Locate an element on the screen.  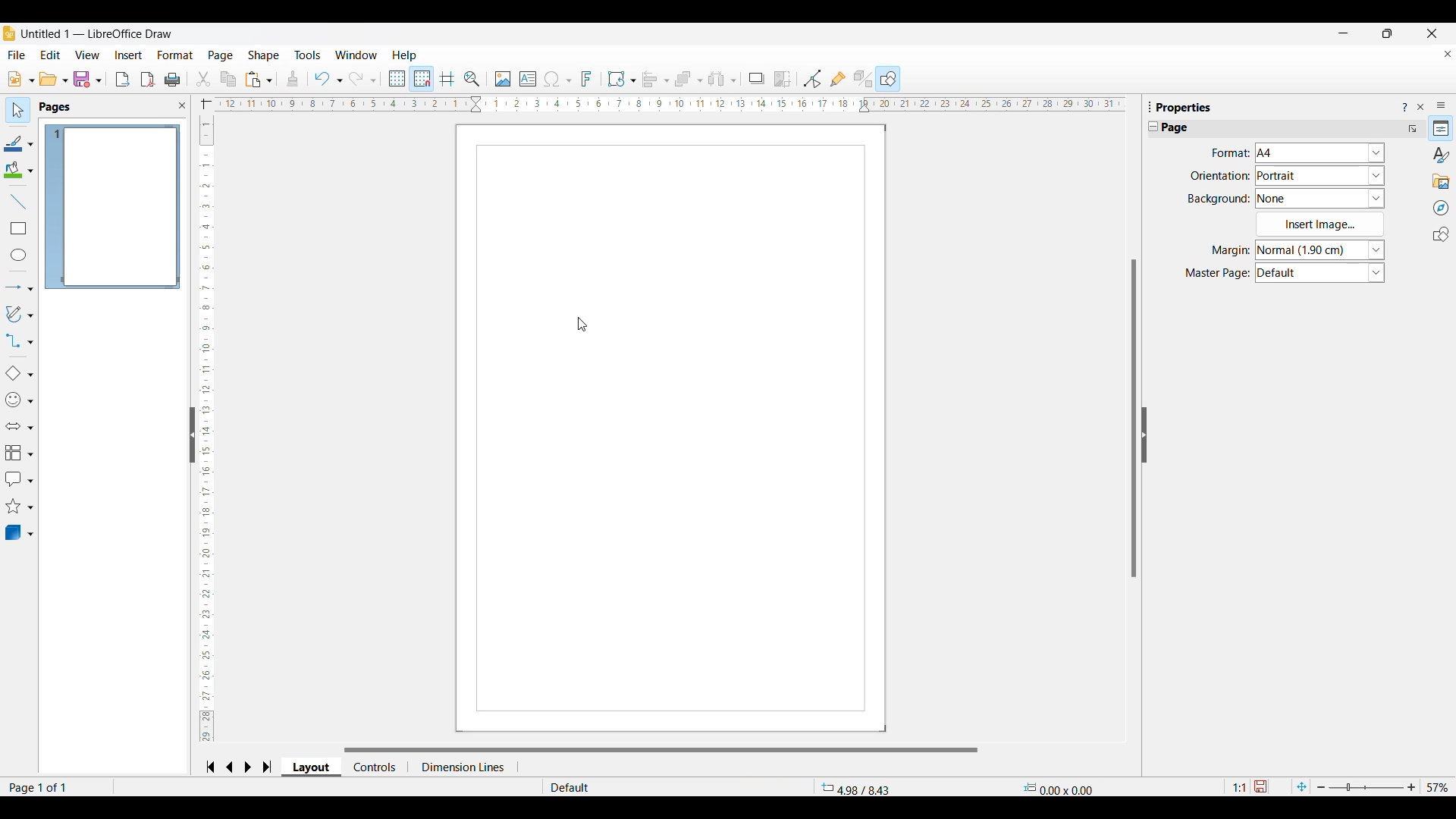
Jump to last slide is located at coordinates (268, 767).